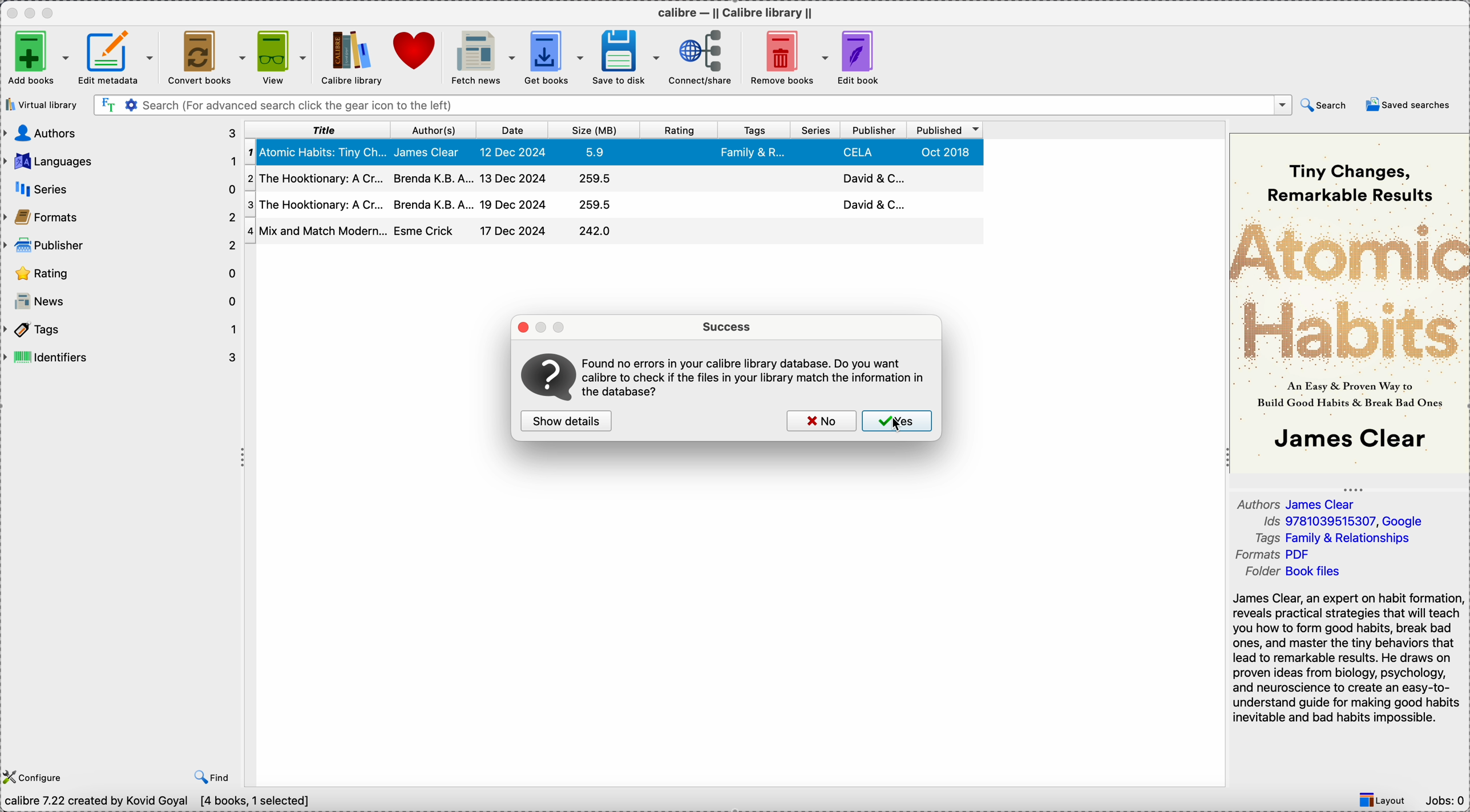 Image resolution: width=1470 pixels, height=812 pixels. I want to click on authors, so click(1297, 504).